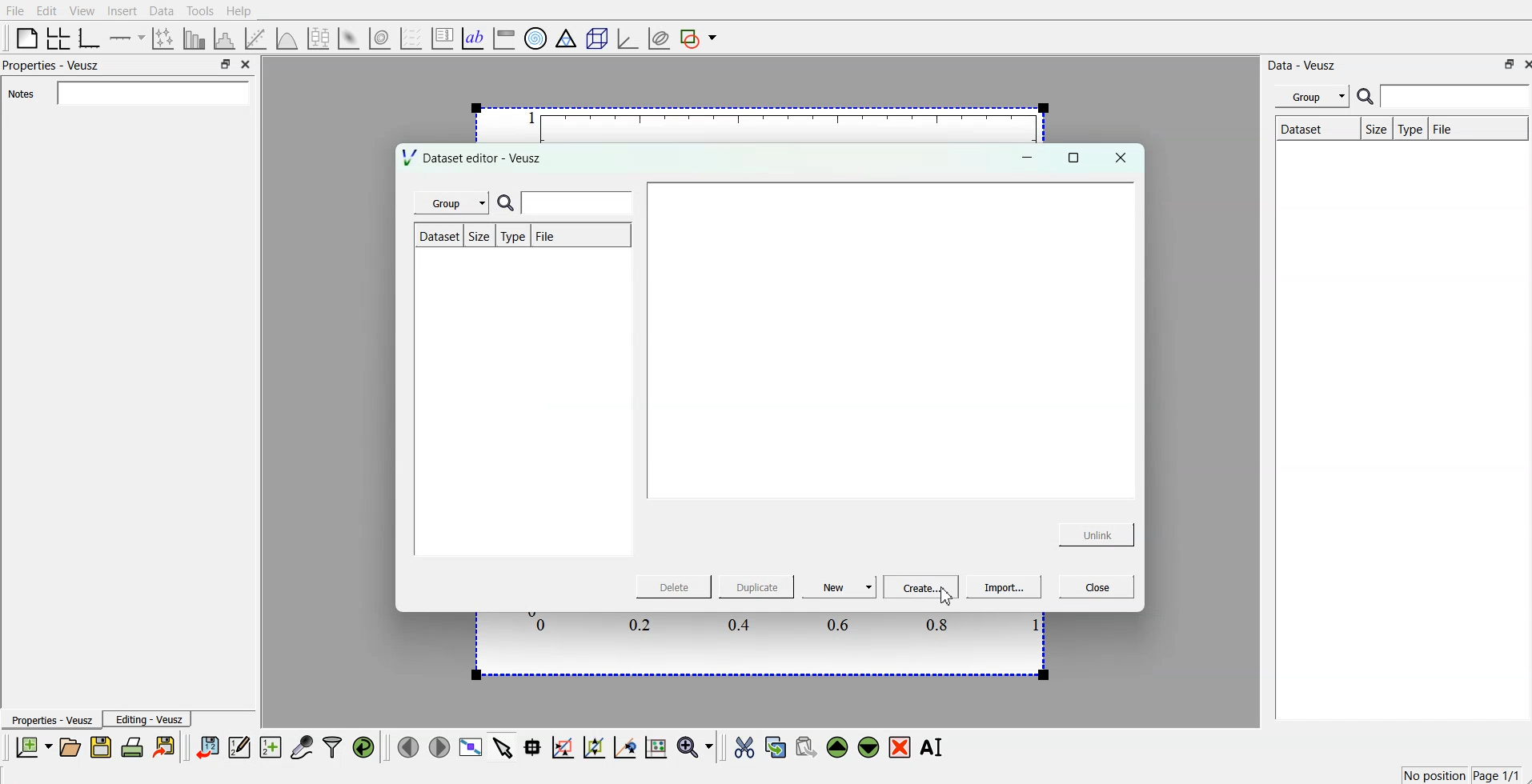 Image resolution: width=1532 pixels, height=784 pixels. I want to click on Unlink, so click(1097, 535).